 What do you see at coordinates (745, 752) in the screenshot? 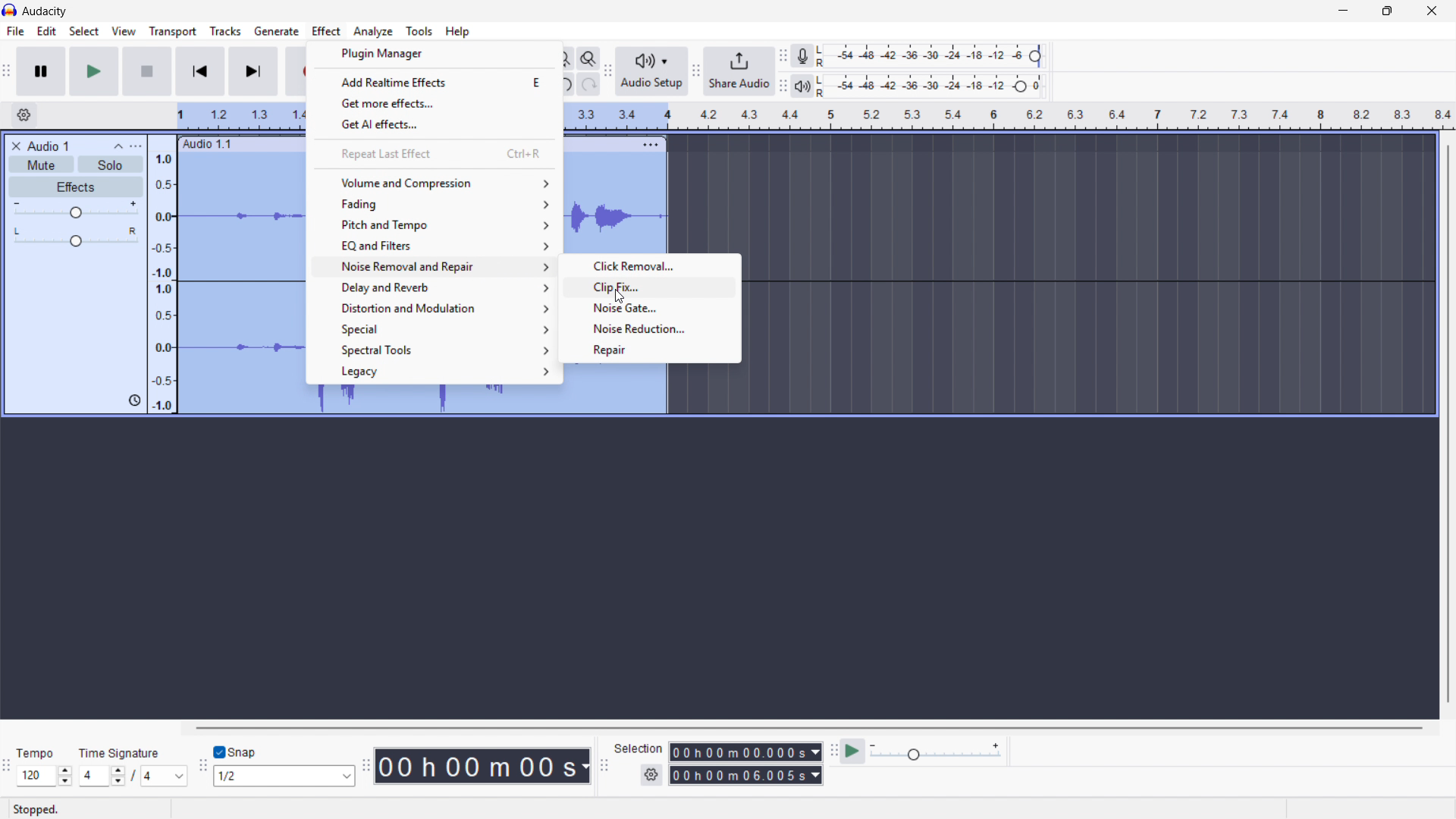
I see `Start time of selection` at bounding box center [745, 752].